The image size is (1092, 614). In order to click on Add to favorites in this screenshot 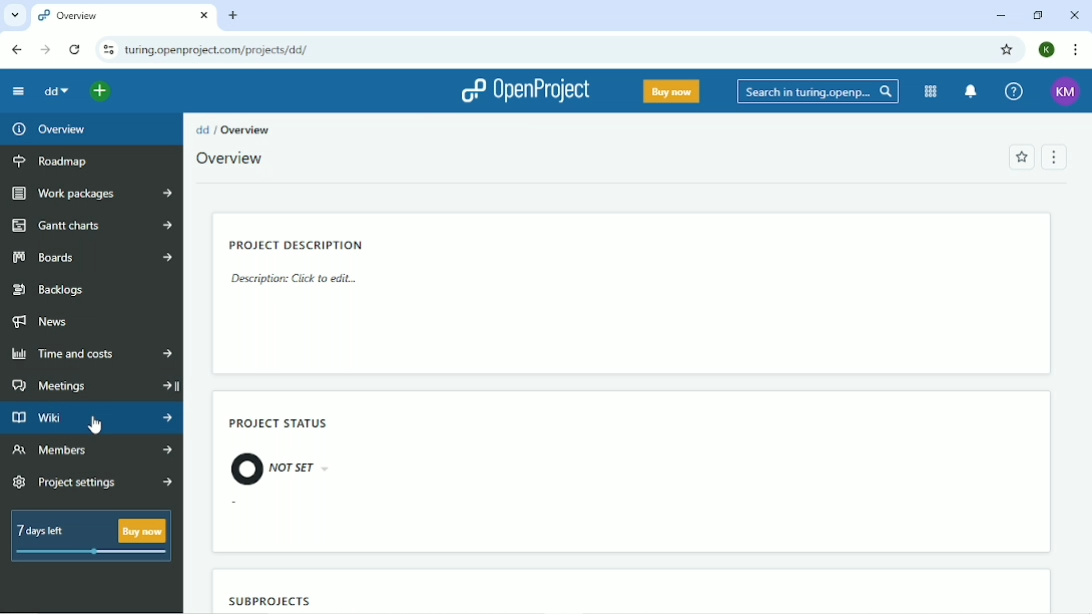, I will do `click(1020, 156)`.